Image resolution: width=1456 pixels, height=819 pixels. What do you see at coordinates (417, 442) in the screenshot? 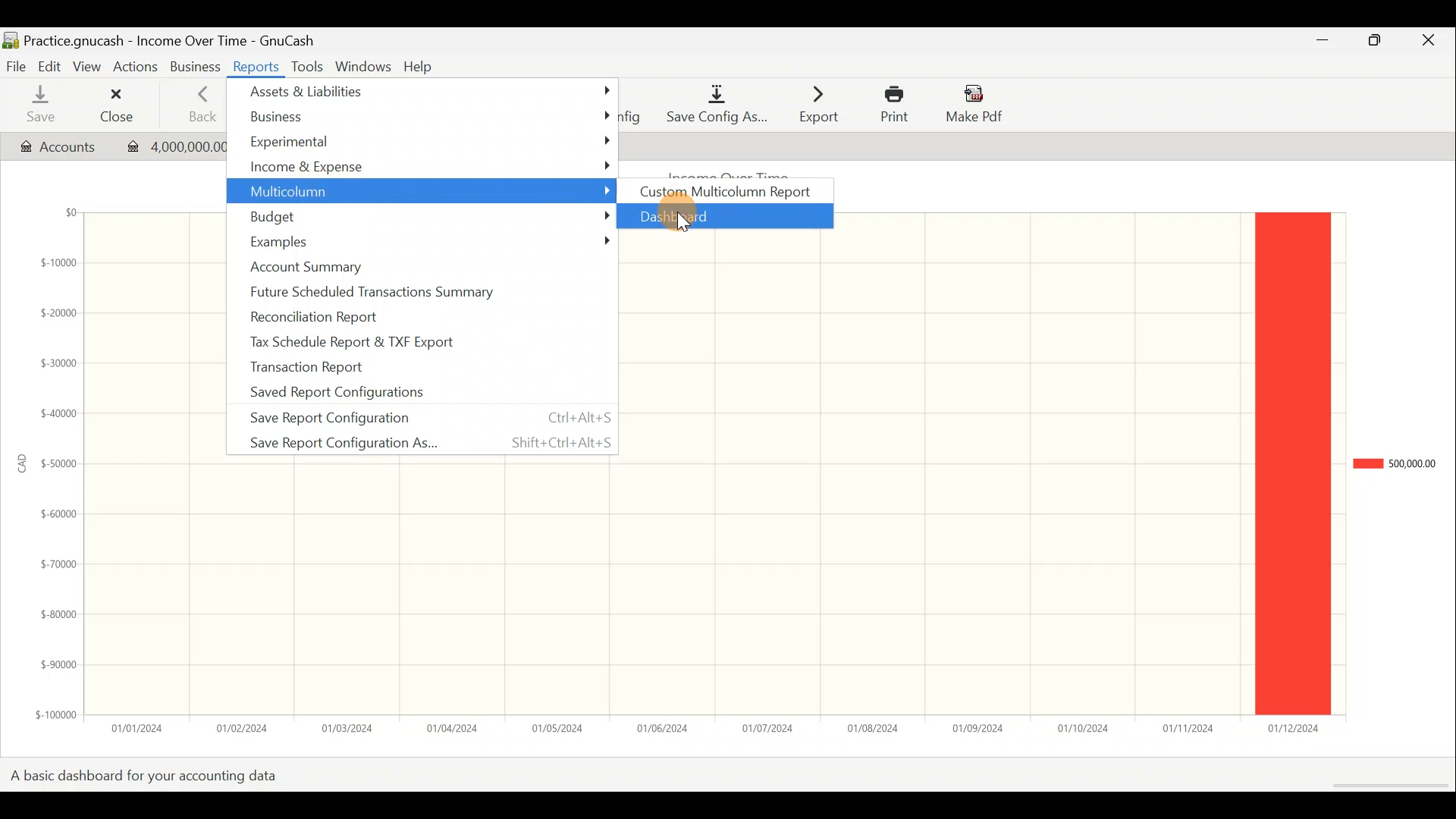
I see `Save report configuration as` at bounding box center [417, 442].